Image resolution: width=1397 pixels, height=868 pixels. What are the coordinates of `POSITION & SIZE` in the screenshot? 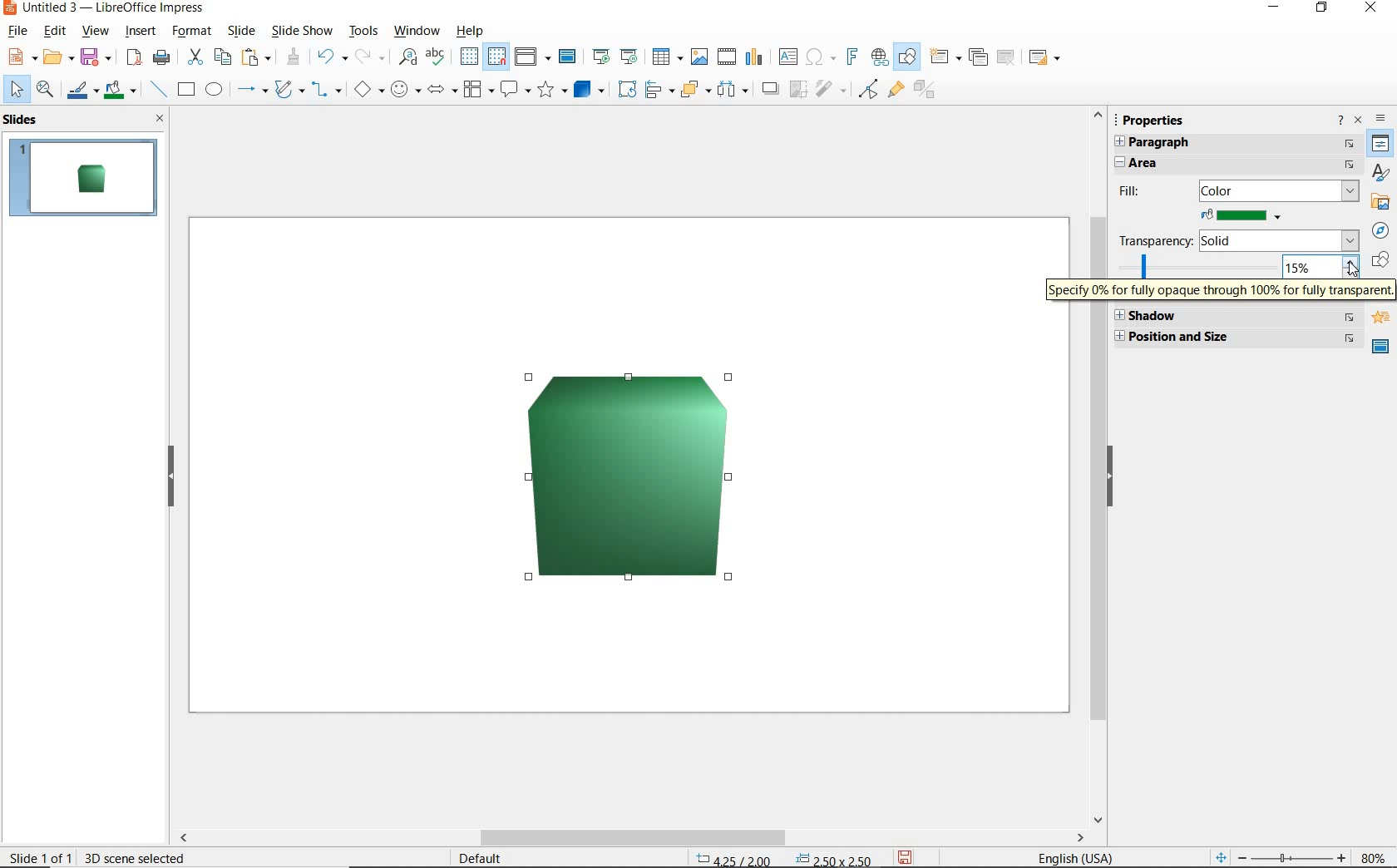 It's located at (1240, 337).